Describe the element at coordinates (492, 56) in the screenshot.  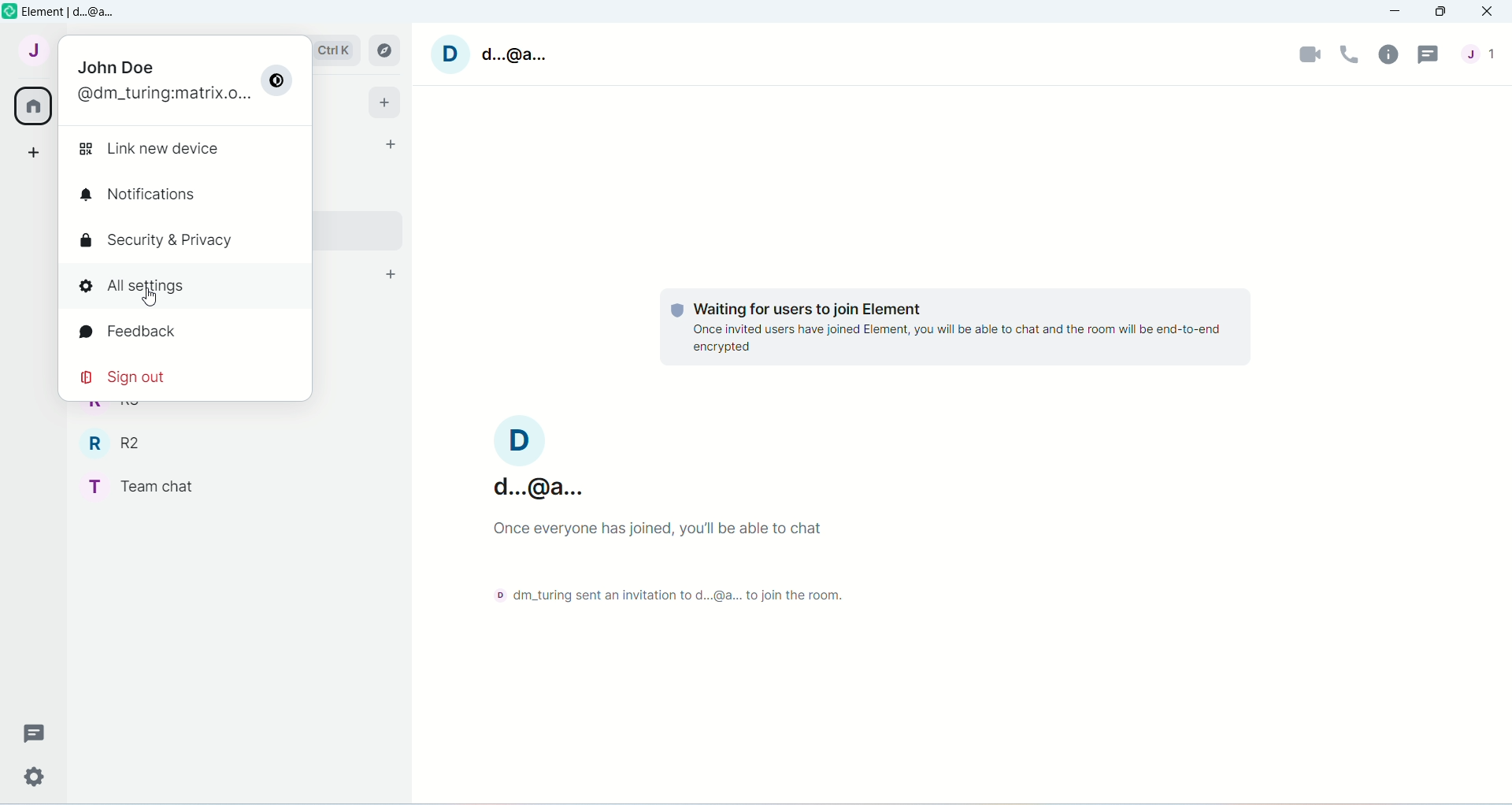
I see `Username- d..@a` at that location.